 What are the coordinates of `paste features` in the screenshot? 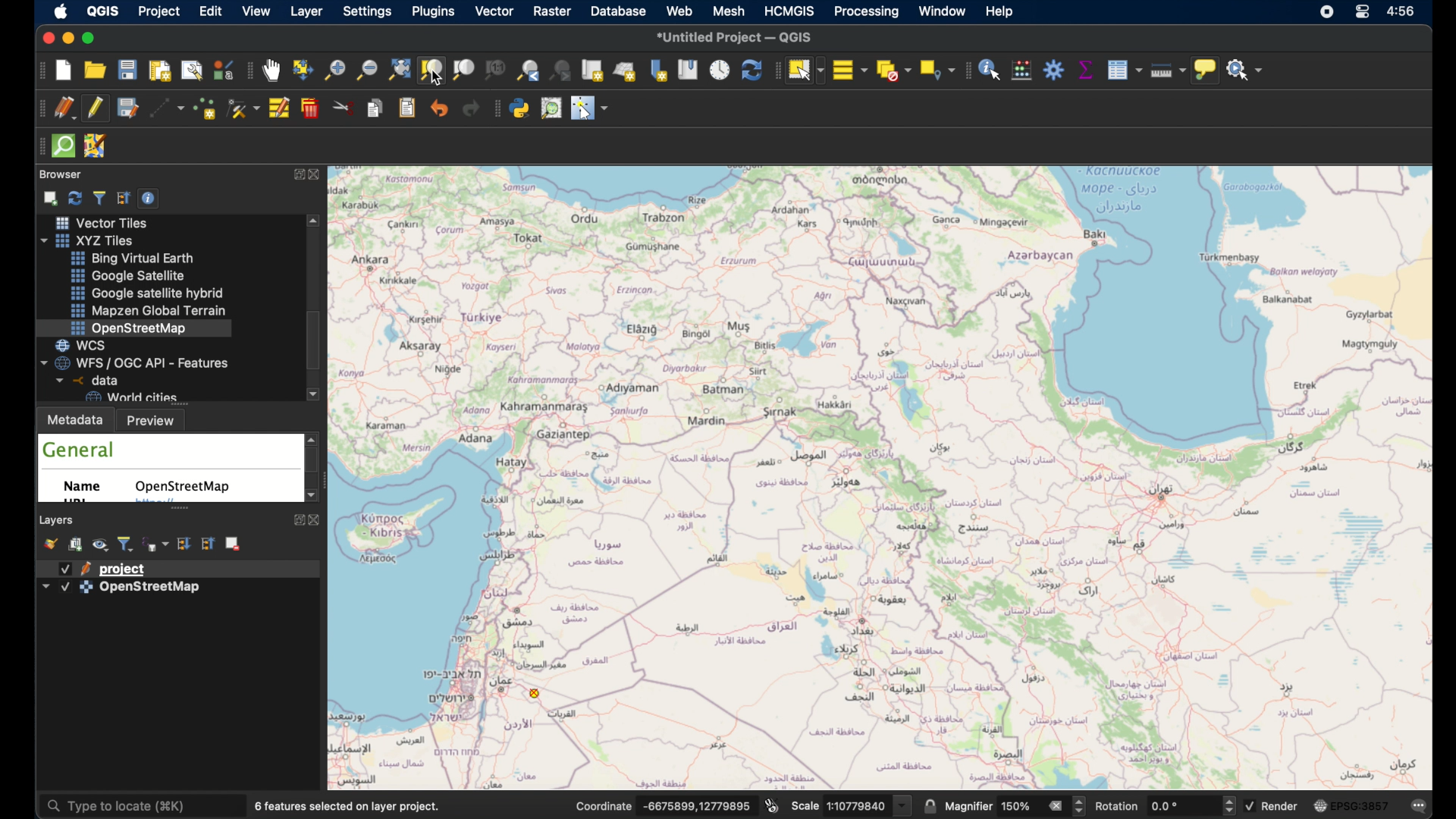 It's located at (409, 109).